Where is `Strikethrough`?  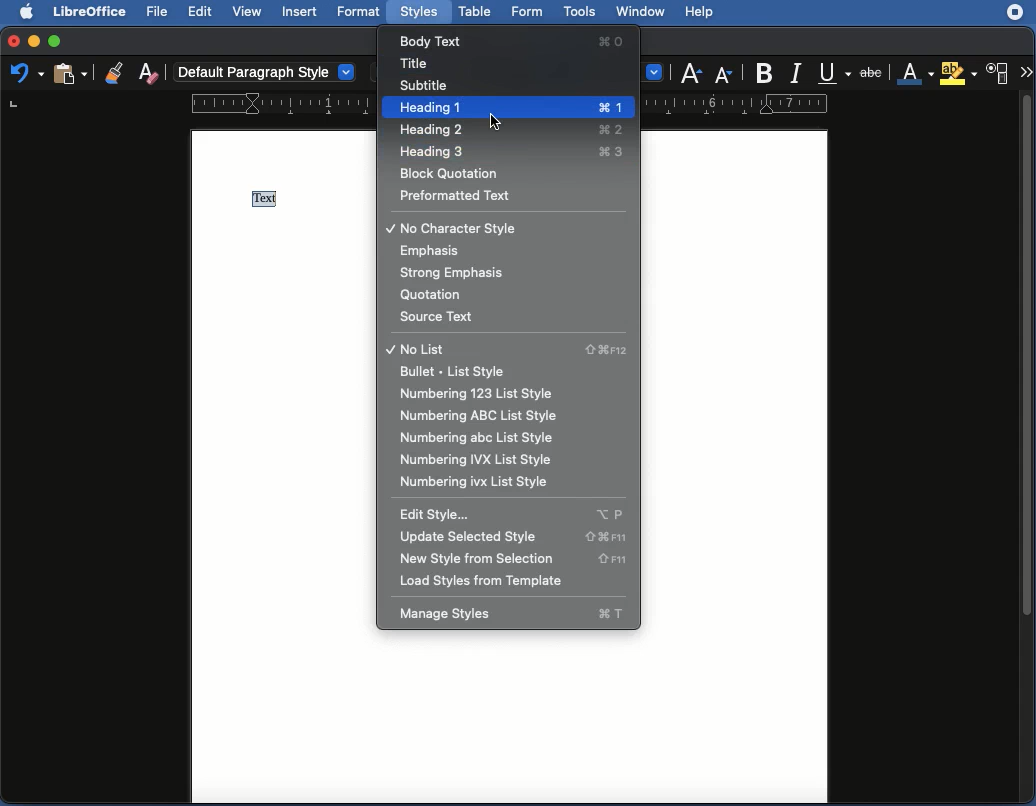
Strikethrough is located at coordinates (872, 72).